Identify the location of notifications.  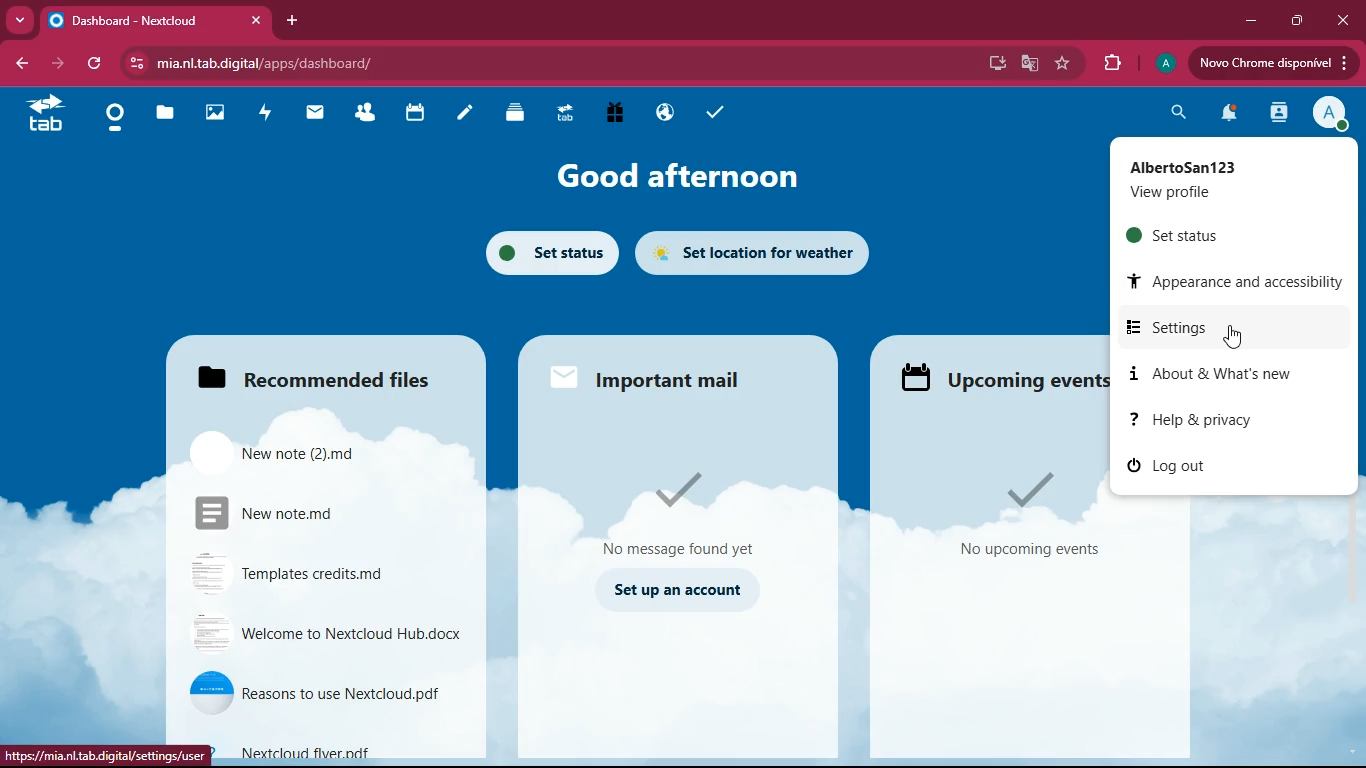
(1230, 115).